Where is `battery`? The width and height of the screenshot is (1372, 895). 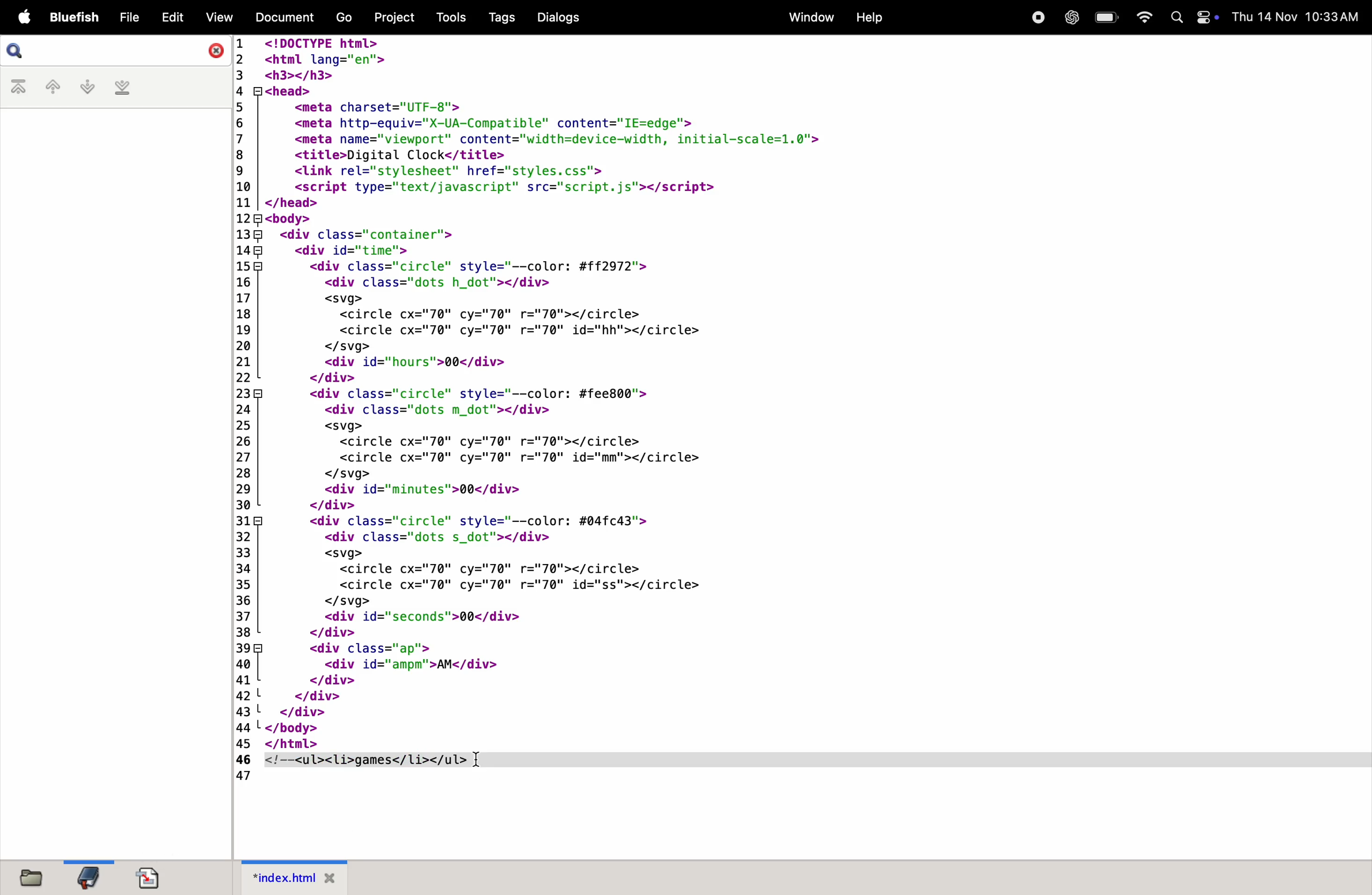 battery is located at coordinates (1104, 18).